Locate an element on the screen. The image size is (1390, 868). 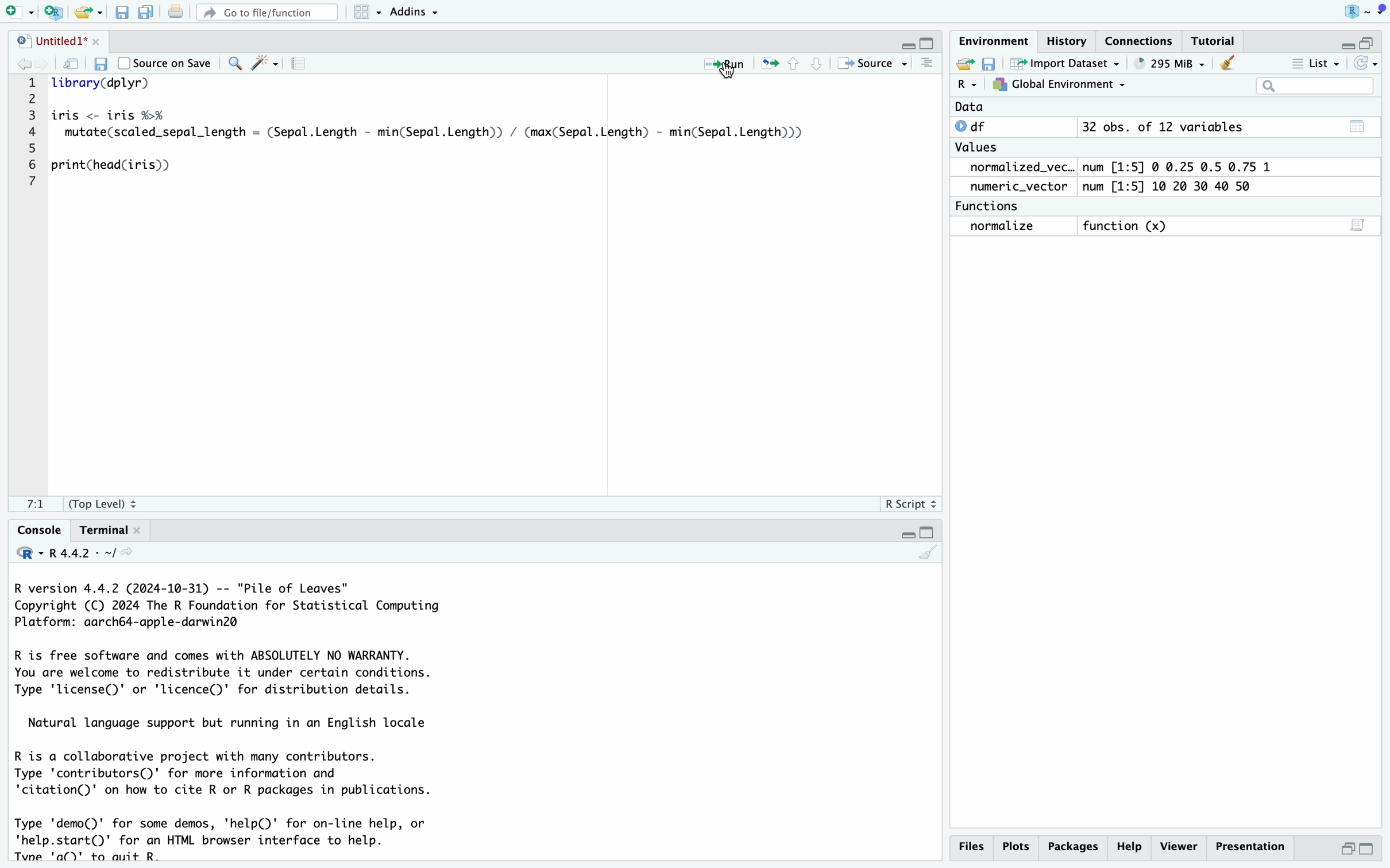
Print is located at coordinates (175, 13).